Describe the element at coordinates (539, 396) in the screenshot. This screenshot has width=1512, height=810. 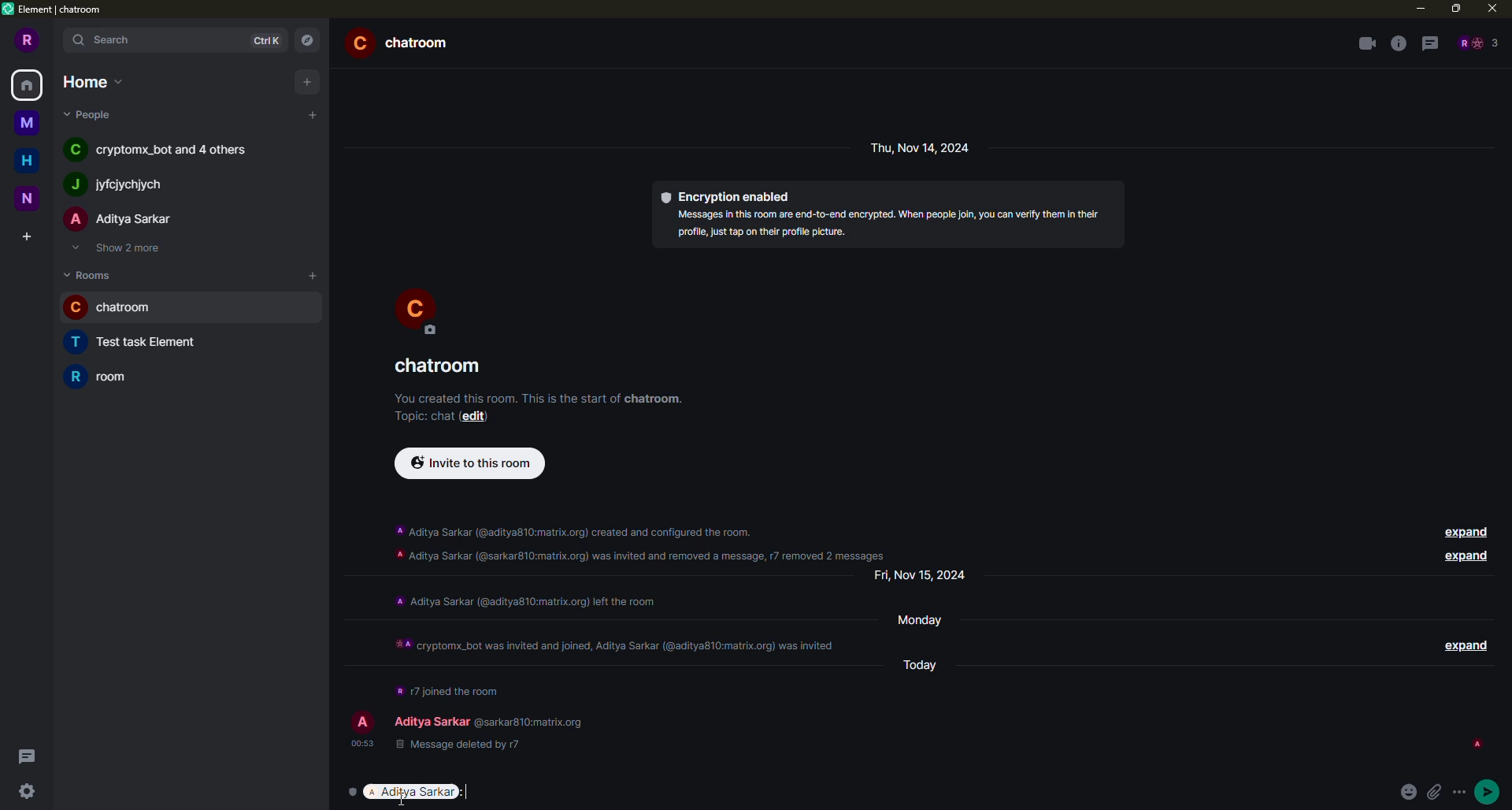
I see `info` at that location.